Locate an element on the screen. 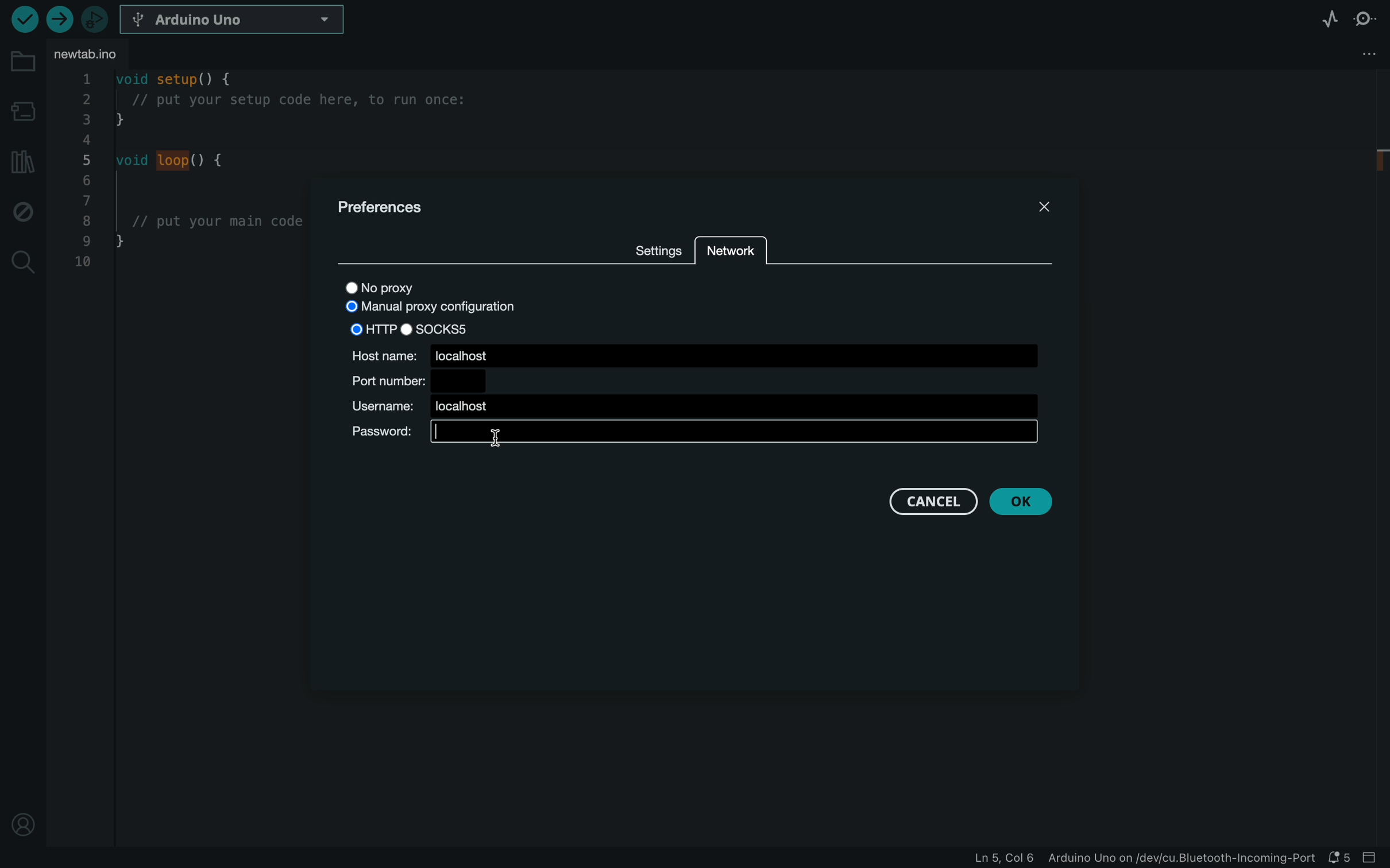 This screenshot has width=1390, height=868. cursor is located at coordinates (498, 436).